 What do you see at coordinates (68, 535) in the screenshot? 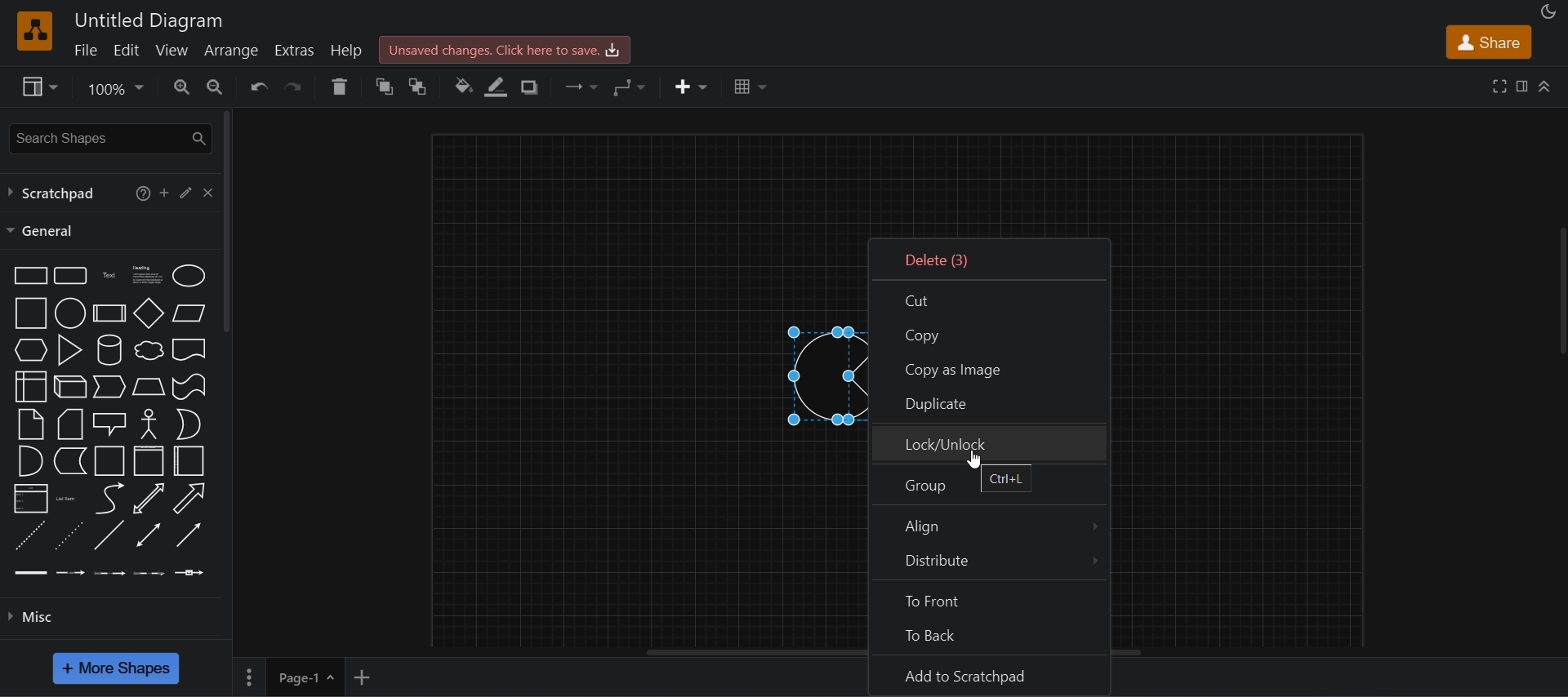
I see `dotted line` at bounding box center [68, 535].